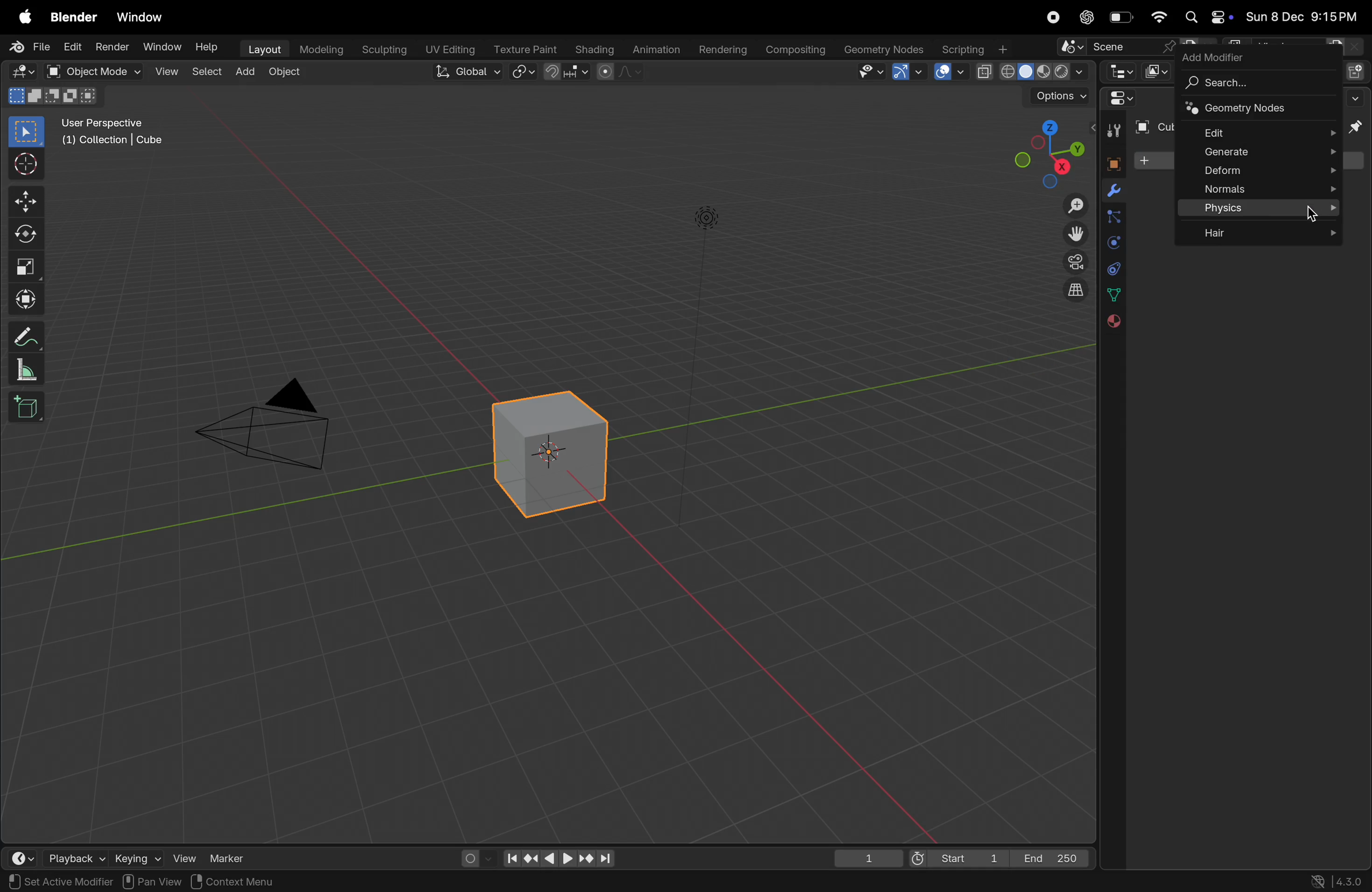 This screenshot has width=1372, height=892. What do you see at coordinates (559, 859) in the screenshot?
I see `playbacks controls` at bounding box center [559, 859].